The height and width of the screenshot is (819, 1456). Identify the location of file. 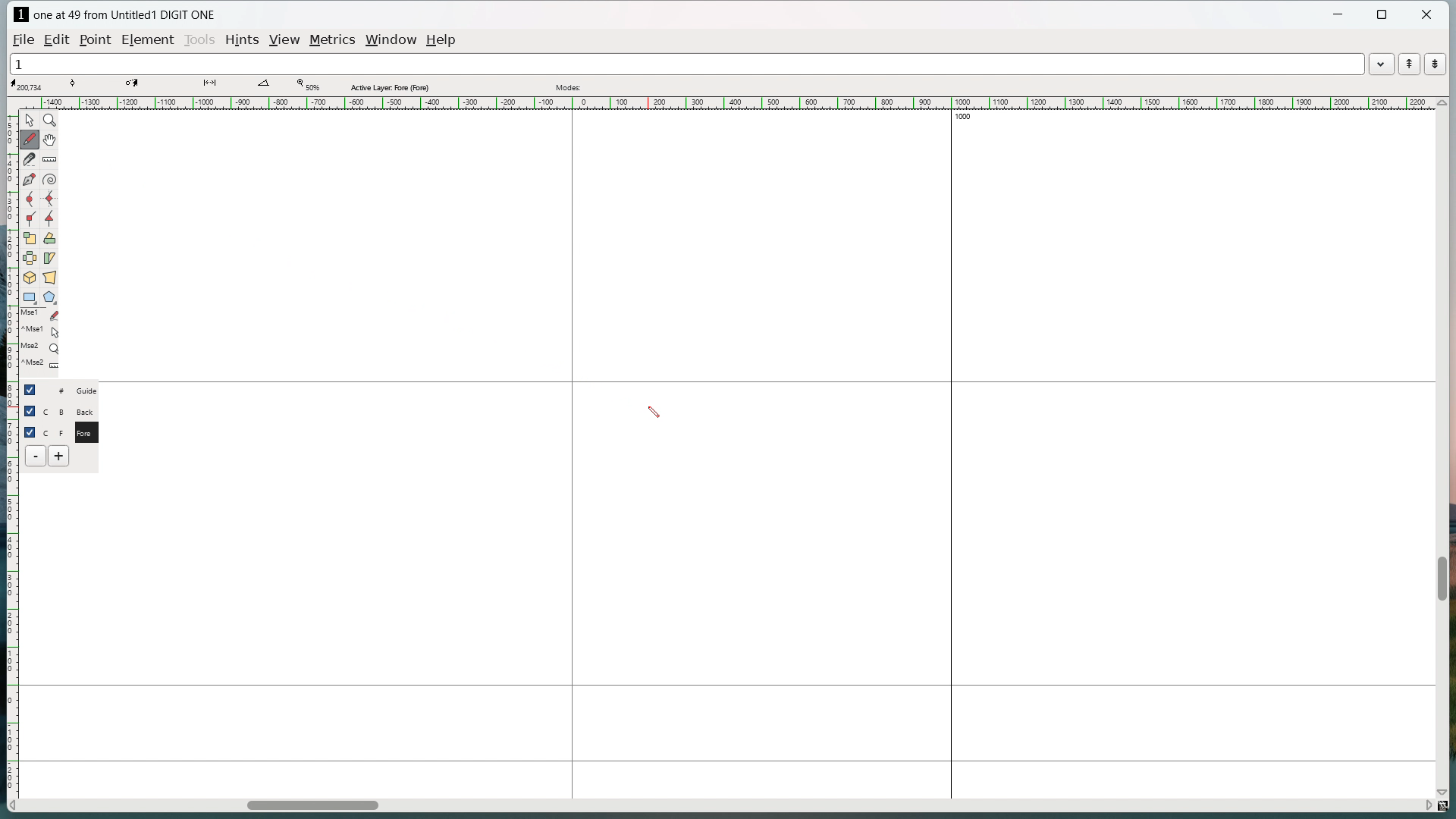
(24, 39).